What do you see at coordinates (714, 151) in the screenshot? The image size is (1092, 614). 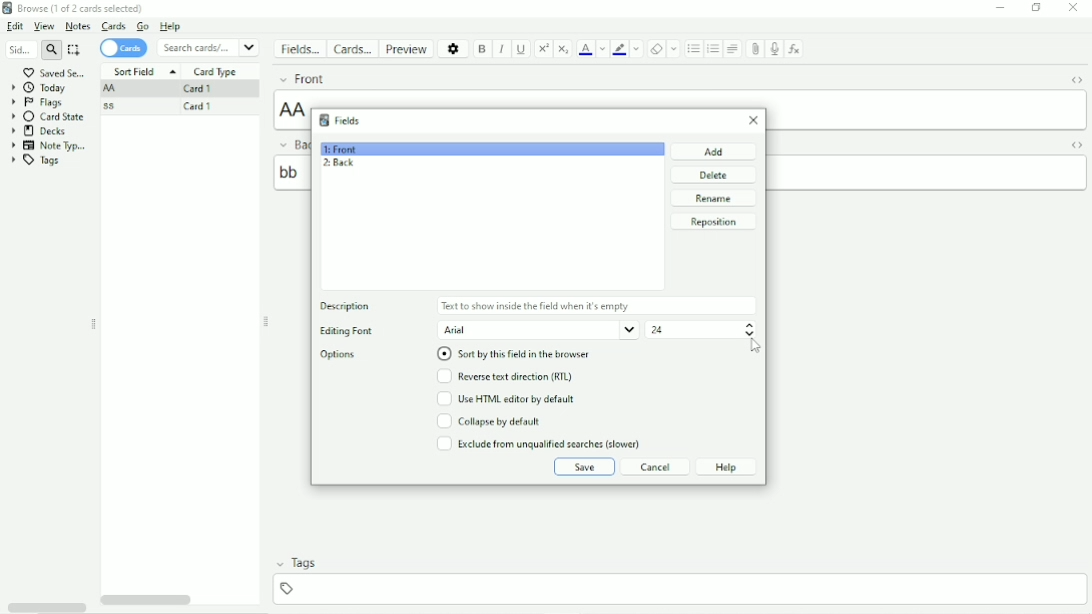 I see `Add` at bounding box center [714, 151].